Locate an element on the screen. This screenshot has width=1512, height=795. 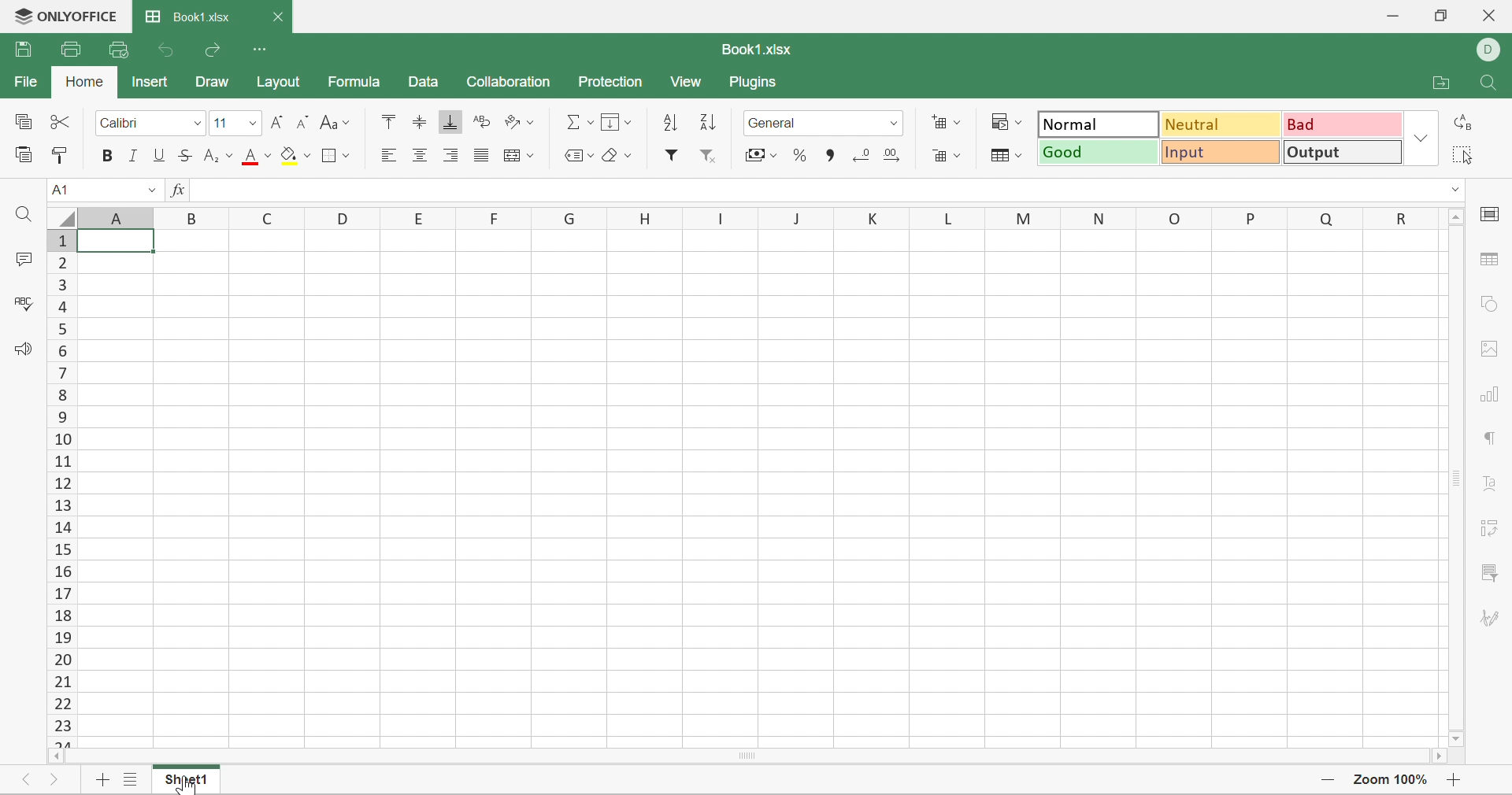
font dropdown is located at coordinates (196, 123).